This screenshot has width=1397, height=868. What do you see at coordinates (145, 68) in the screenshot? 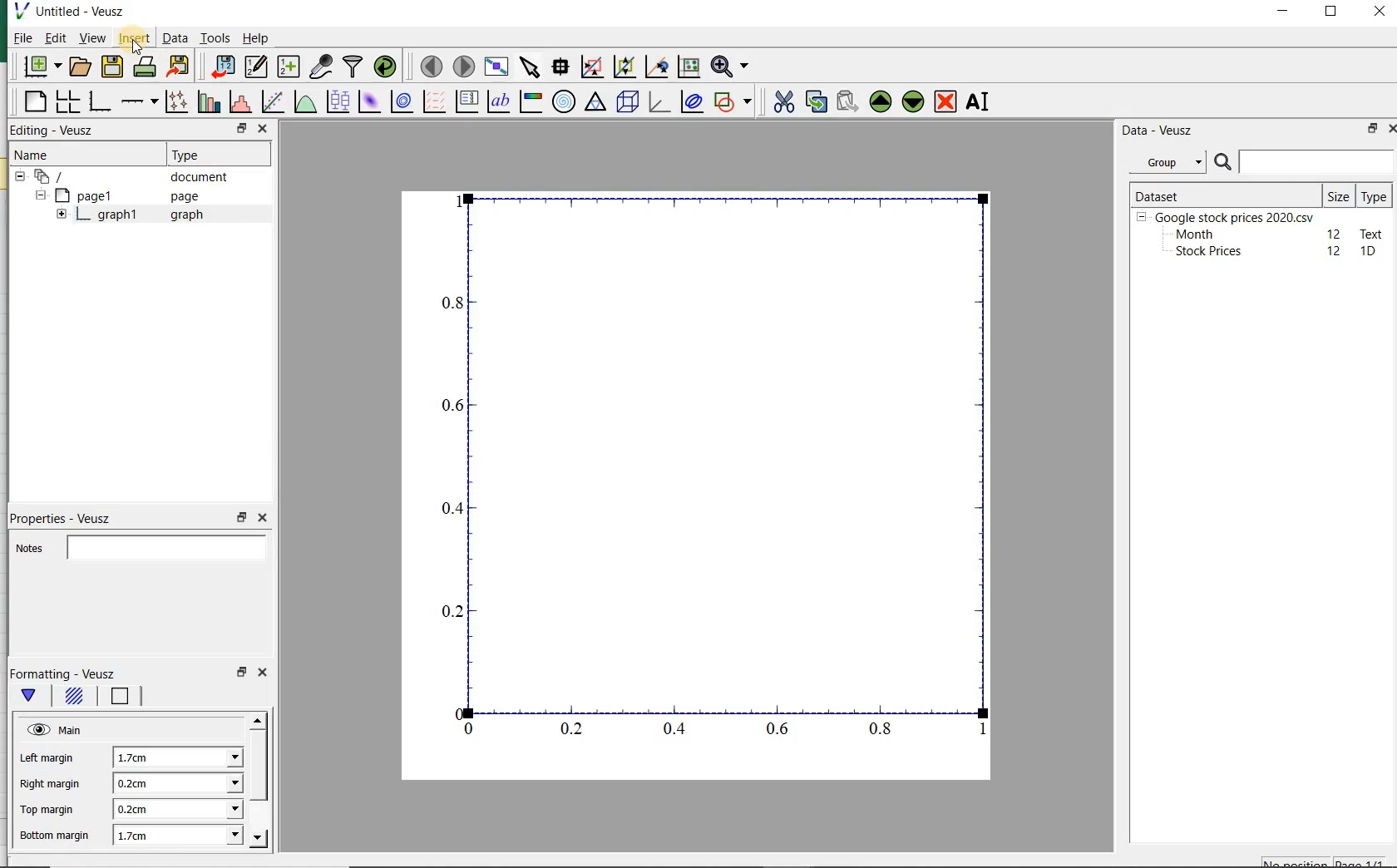
I see `print the document` at bounding box center [145, 68].